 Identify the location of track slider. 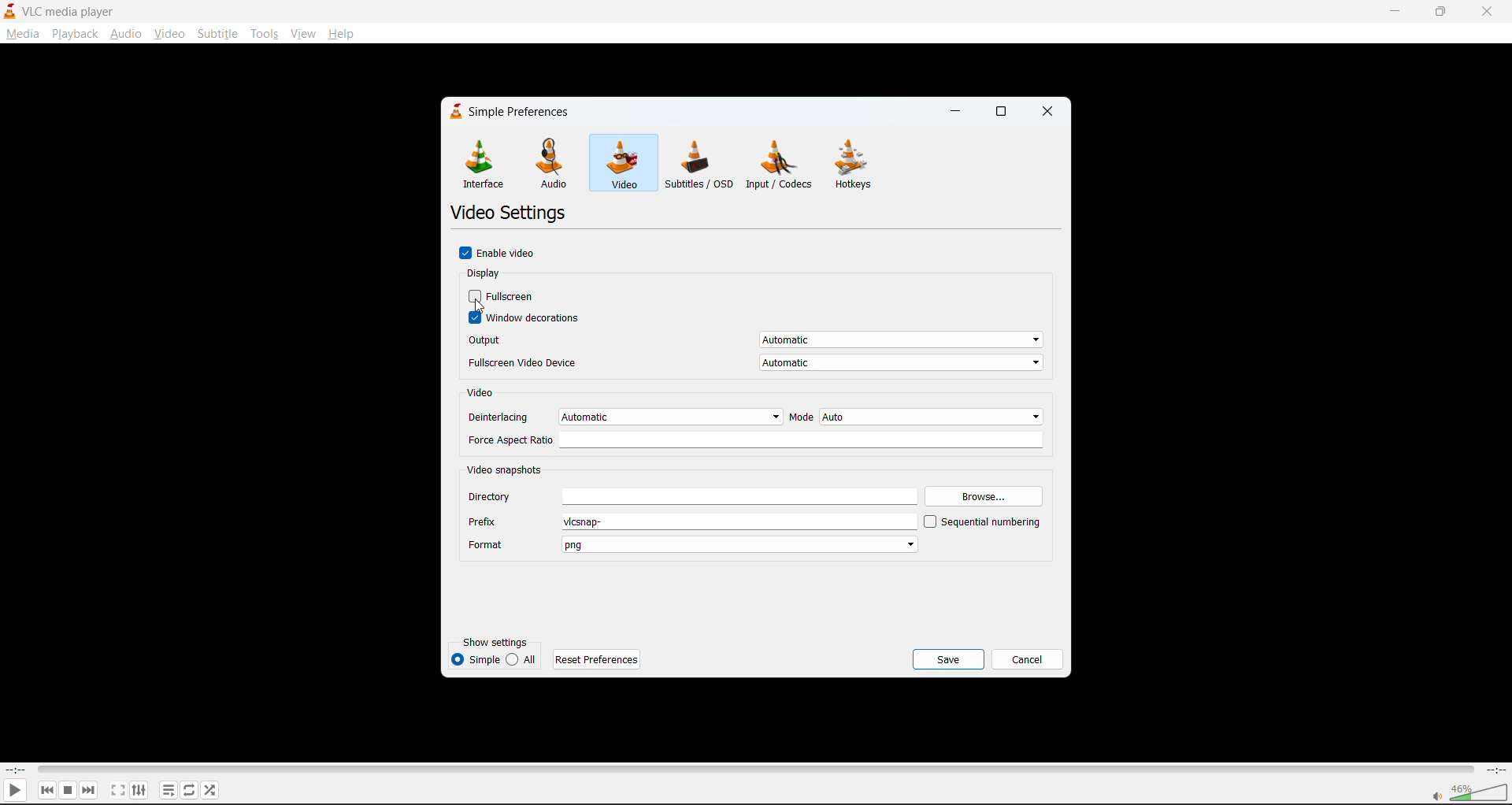
(751, 768).